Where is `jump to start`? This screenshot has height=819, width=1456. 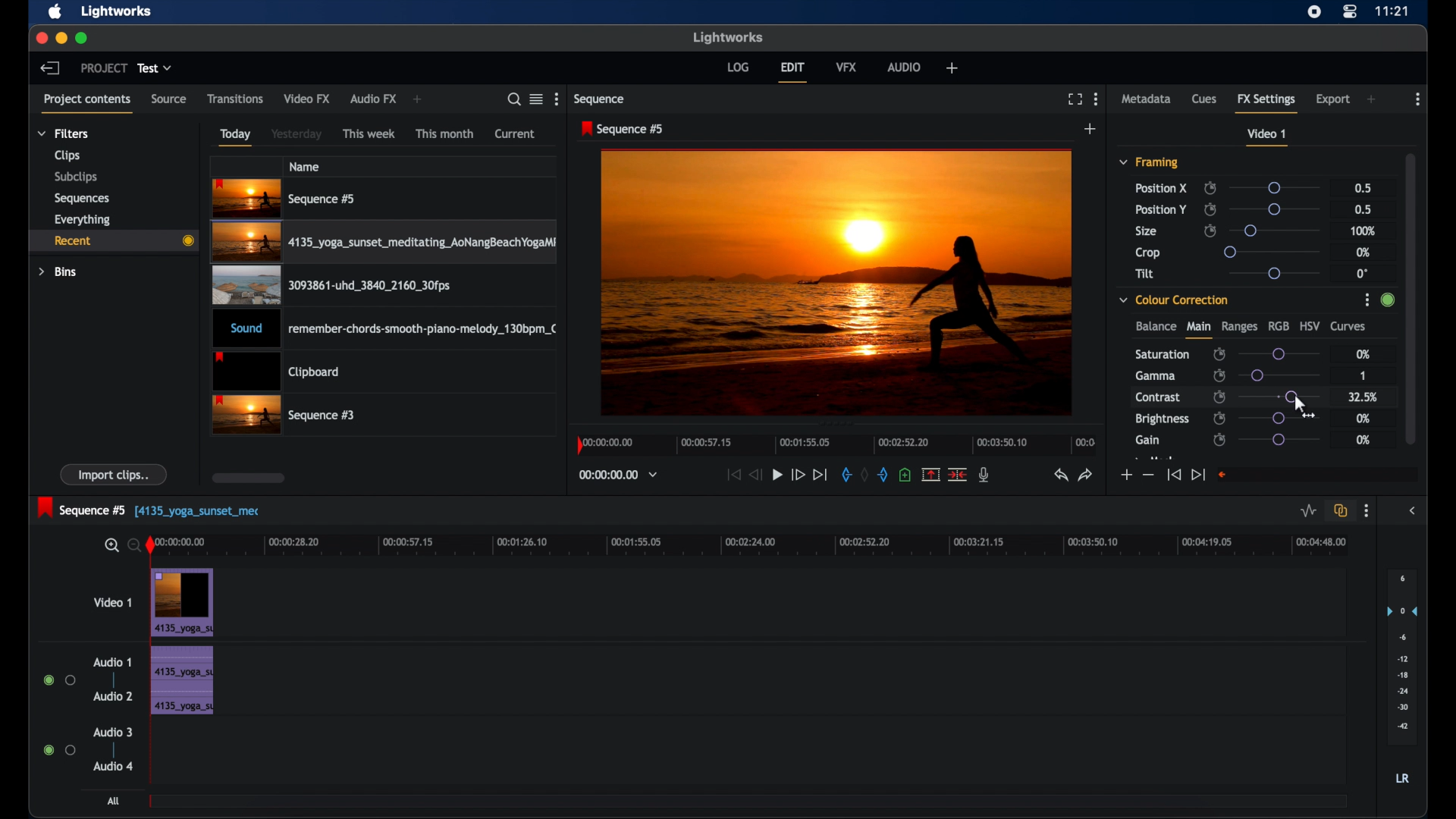
jump to start is located at coordinates (1173, 474).